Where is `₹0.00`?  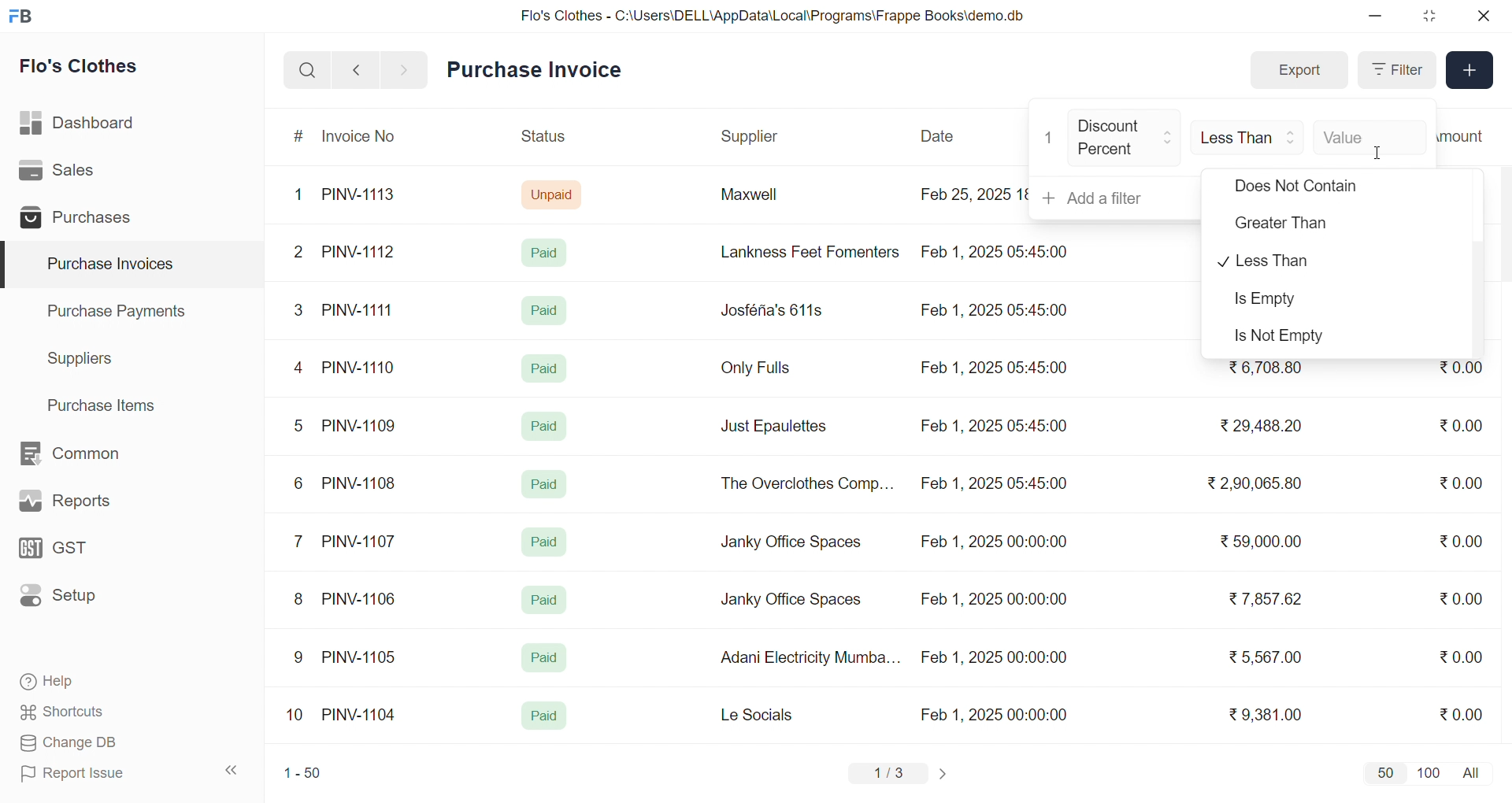
₹0.00 is located at coordinates (1461, 598).